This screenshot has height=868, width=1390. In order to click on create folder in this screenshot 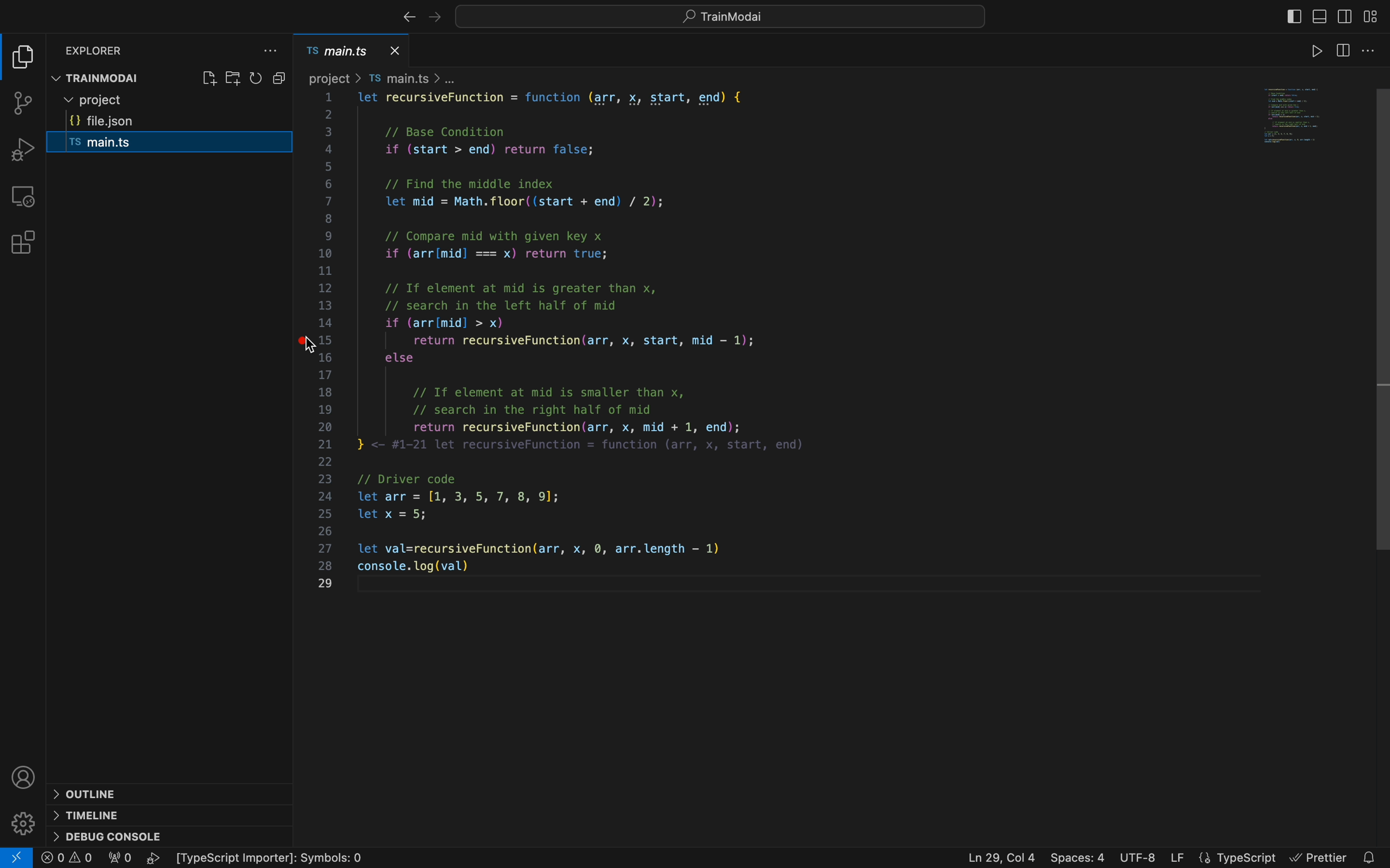, I will do `click(235, 80)`.